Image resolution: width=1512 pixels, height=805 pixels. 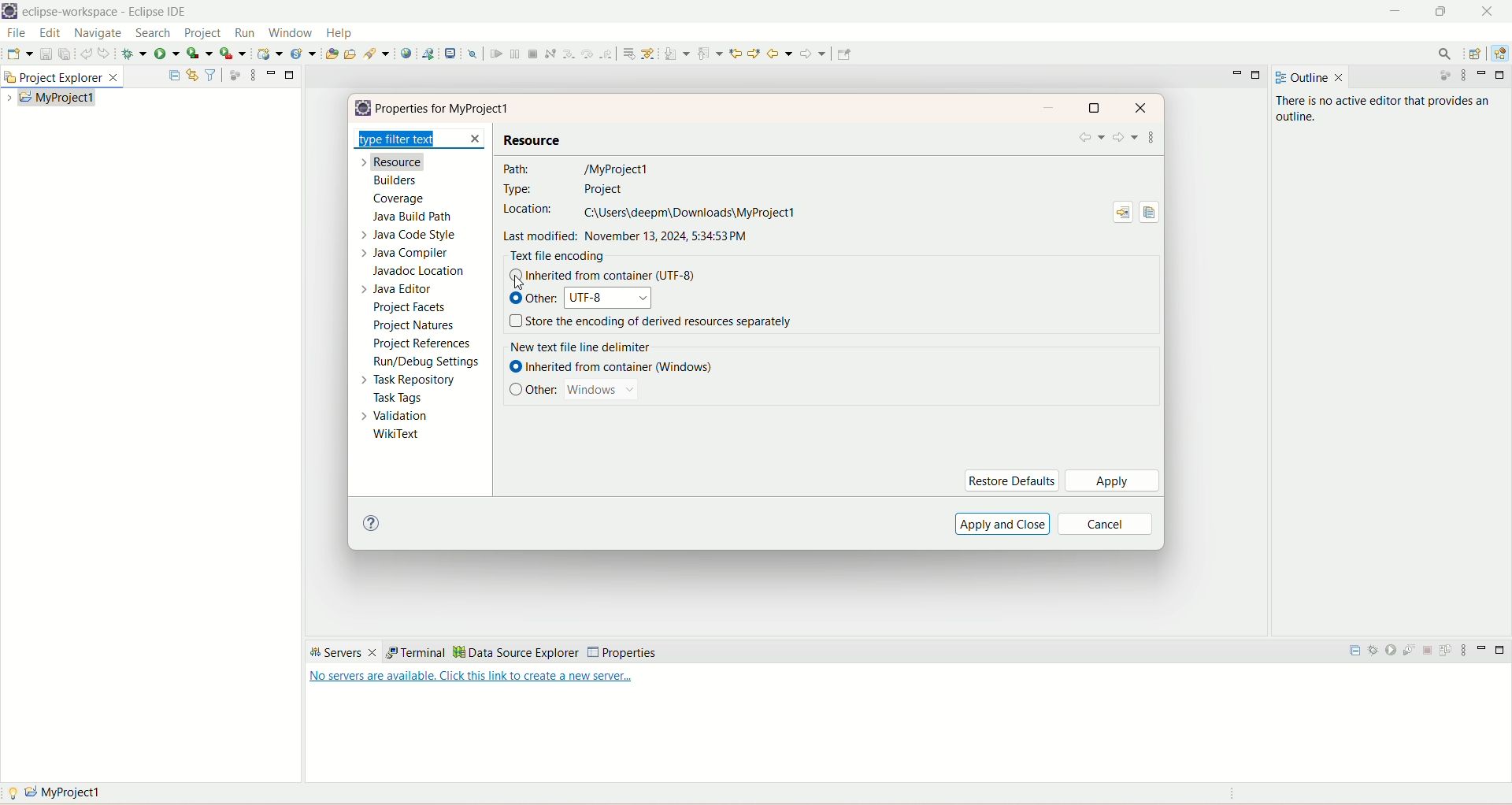 What do you see at coordinates (395, 161) in the screenshot?
I see `resource` at bounding box center [395, 161].